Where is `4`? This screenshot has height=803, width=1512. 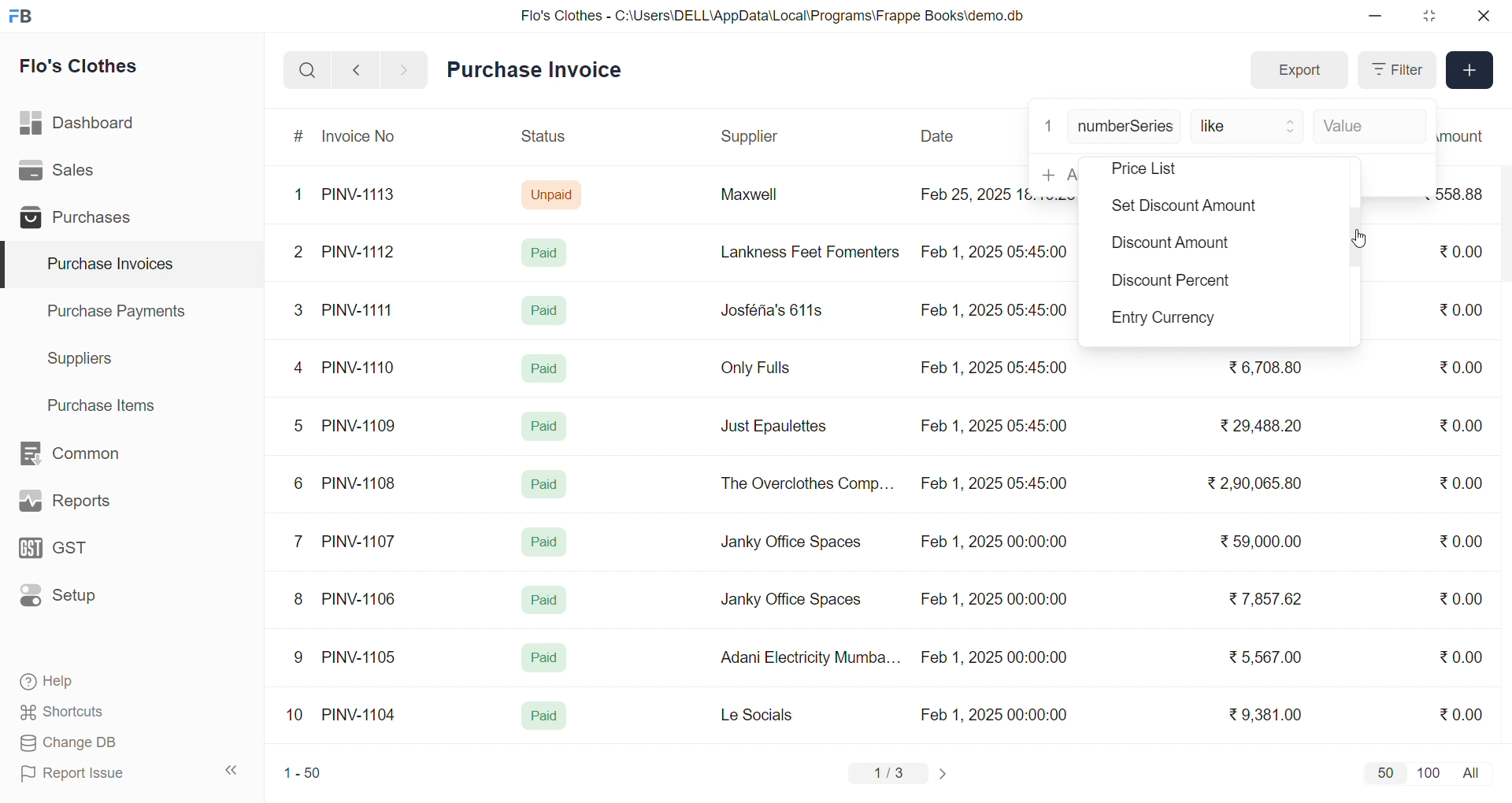
4 is located at coordinates (302, 368).